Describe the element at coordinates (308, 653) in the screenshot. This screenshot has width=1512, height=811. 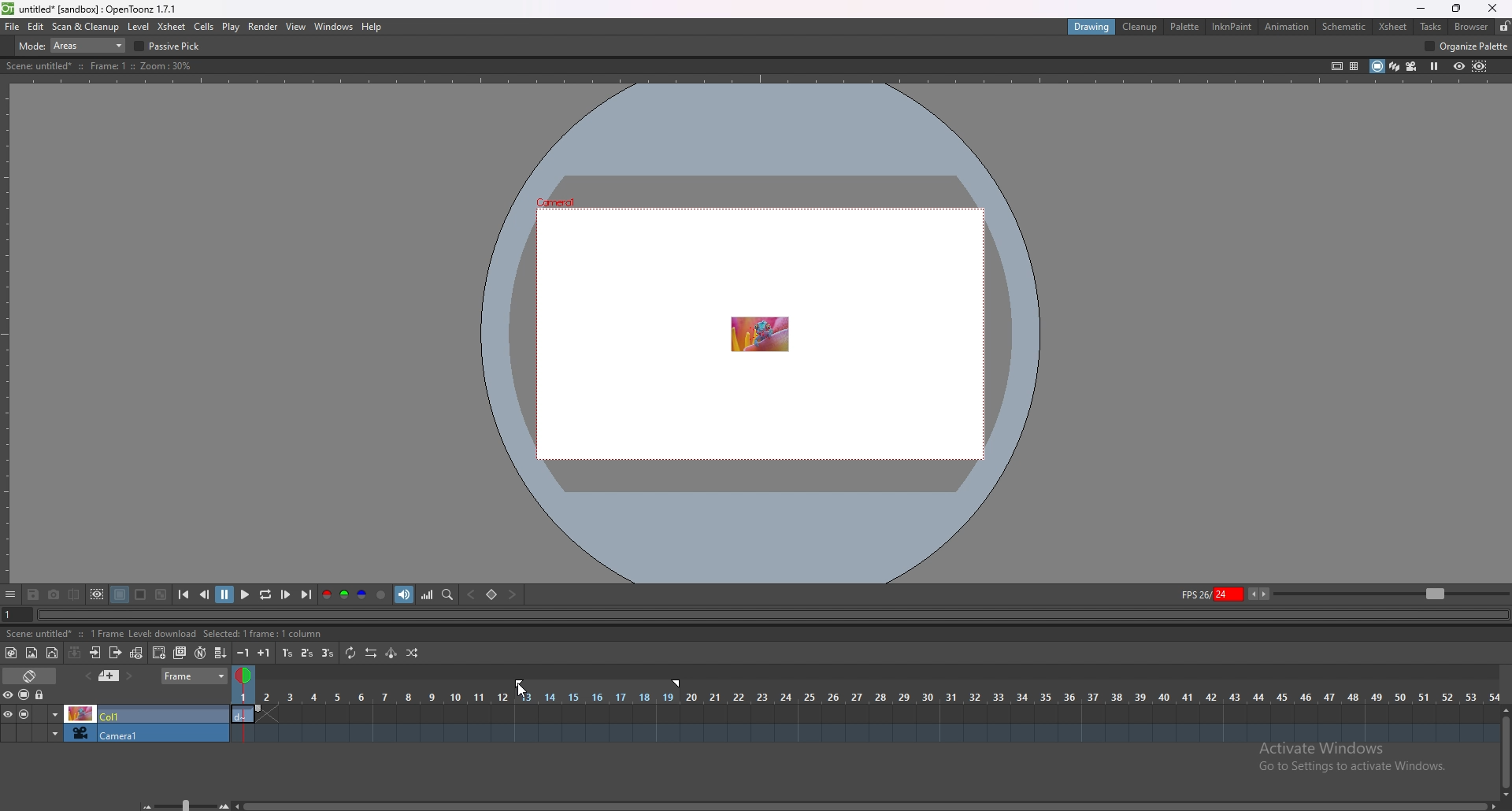
I see `reframe on 2s` at that location.